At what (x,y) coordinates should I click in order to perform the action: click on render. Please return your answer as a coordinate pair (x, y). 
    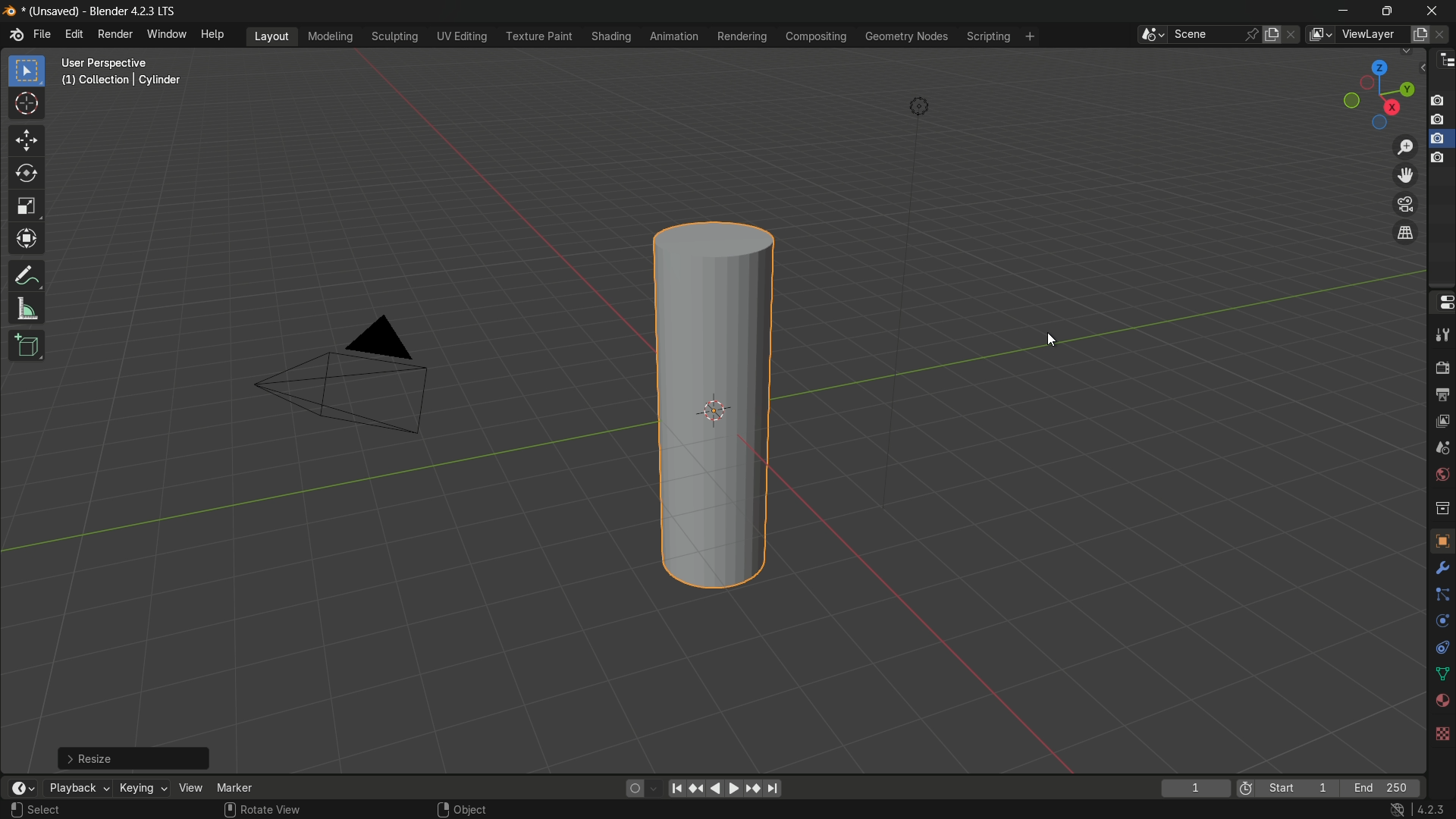
    Looking at the image, I should click on (1441, 369).